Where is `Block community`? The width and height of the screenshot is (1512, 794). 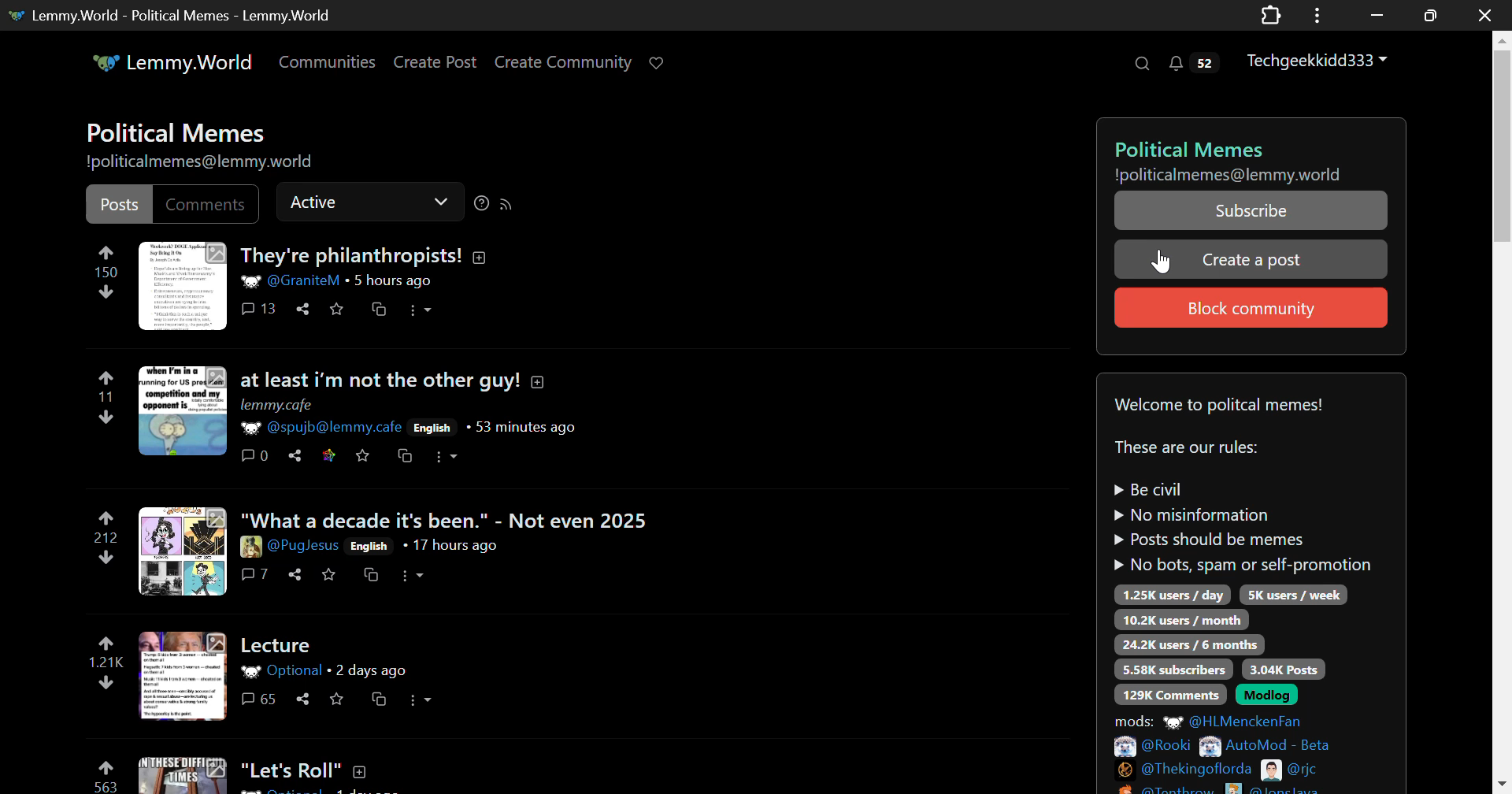
Block community is located at coordinates (1249, 306).